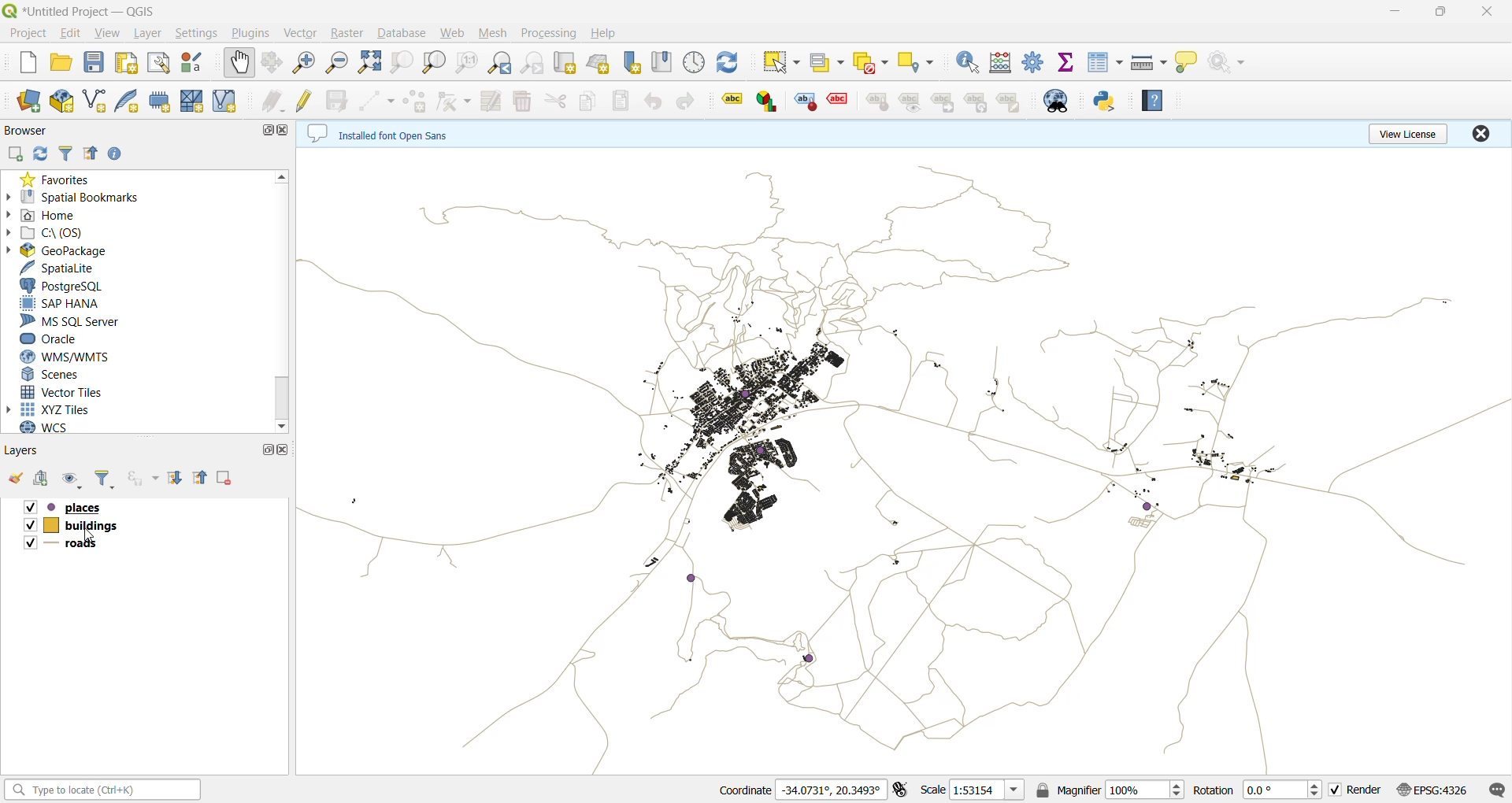 The width and height of the screenshot is (1512, 803). Describe the element at coordinates (1010, 102) in the screenshot. I see `note` at that location.